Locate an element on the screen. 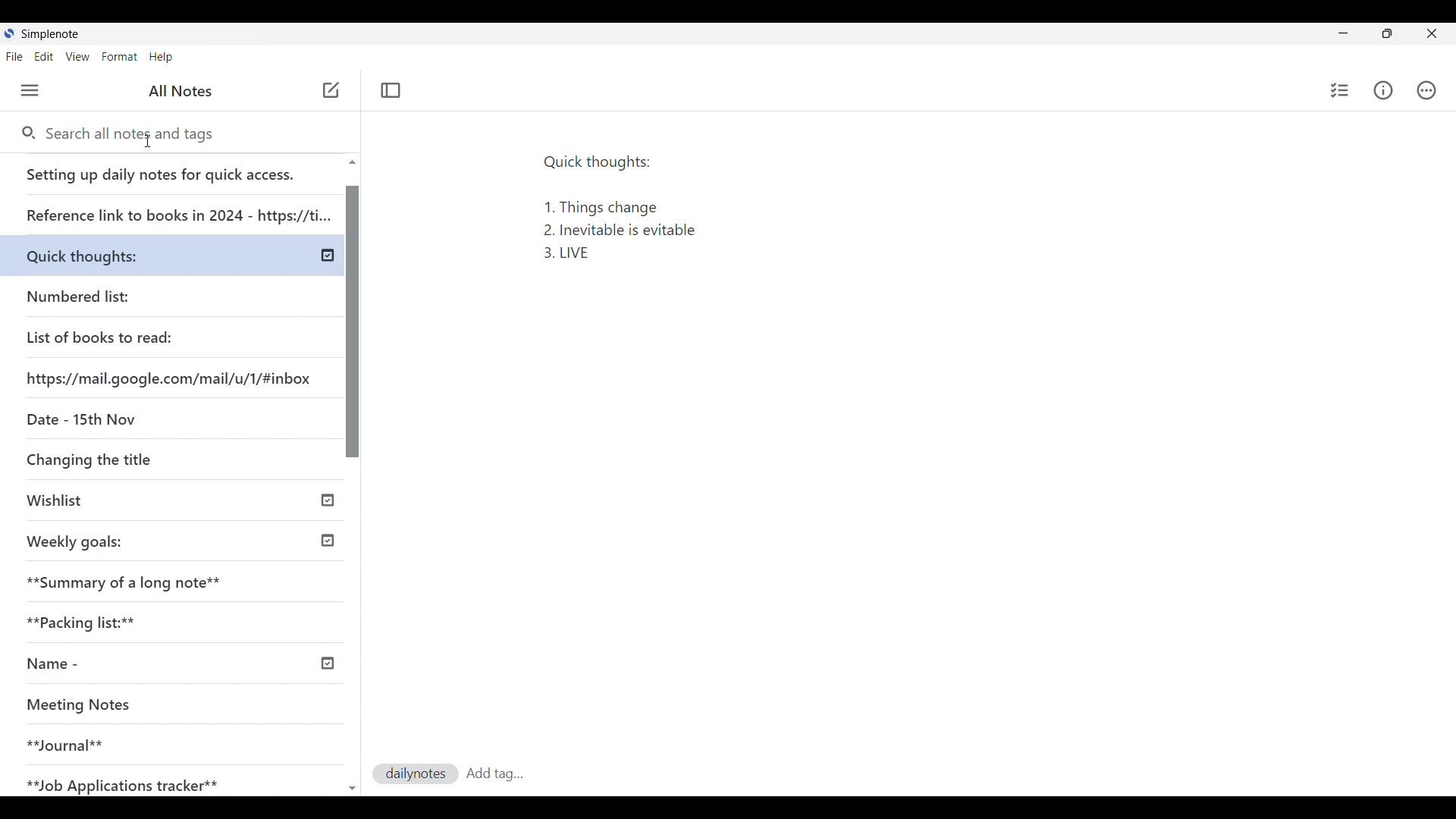 The width and height of the screenshot is (1456, 819). All notes is located at coordinates (180, 91).